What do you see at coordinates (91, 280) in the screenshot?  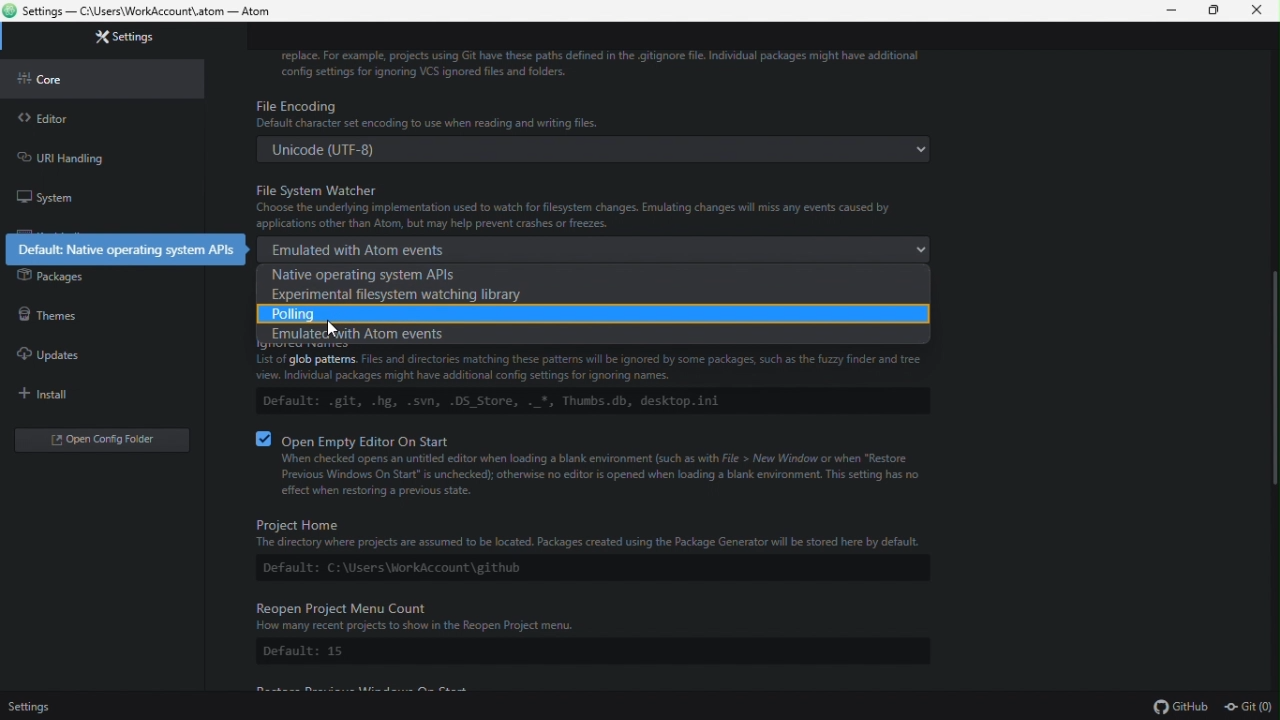 I see `packages` at bounding box center [91, 280].